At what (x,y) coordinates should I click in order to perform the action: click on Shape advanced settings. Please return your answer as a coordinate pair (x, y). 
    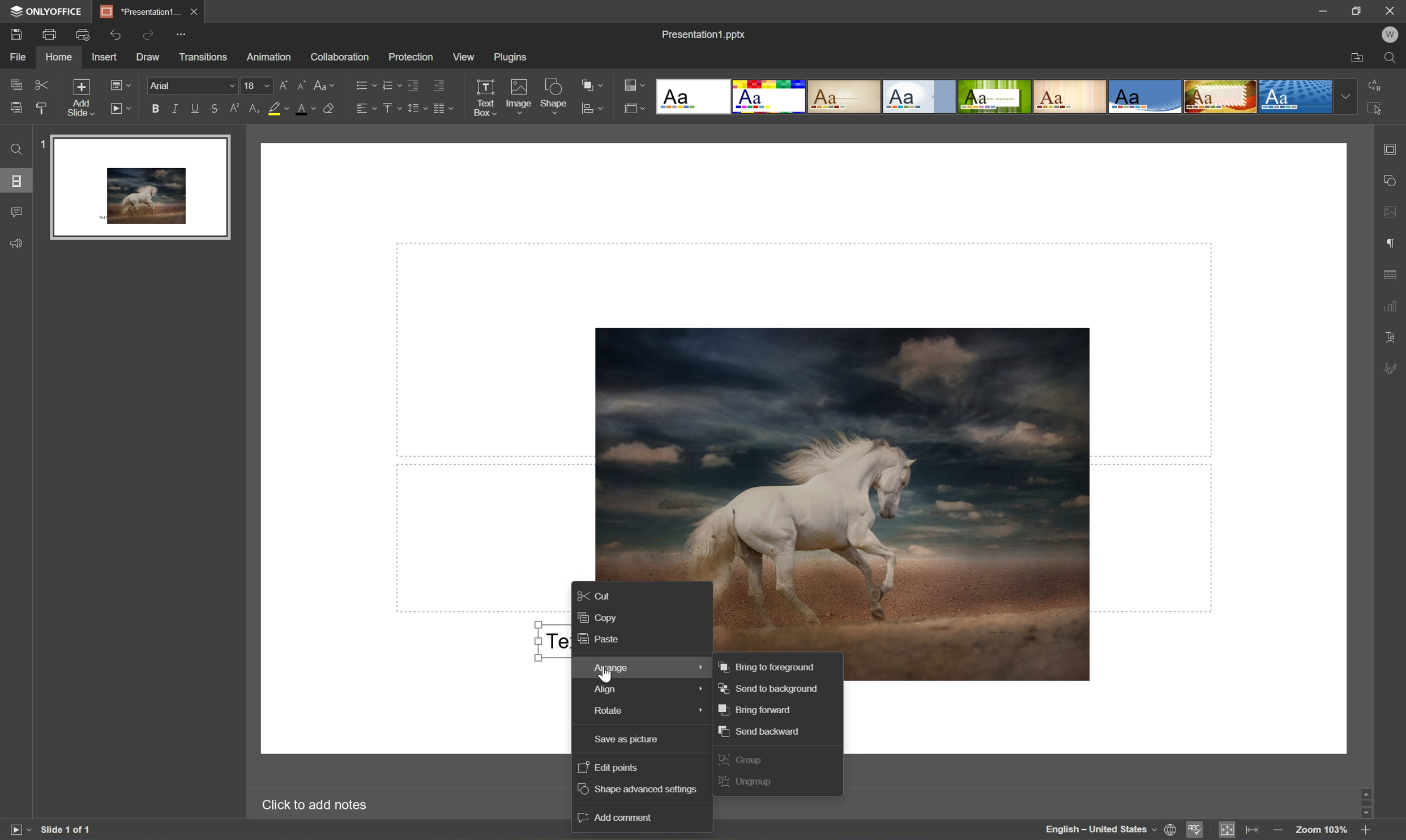
    Looking at the image, I should click on (641, 790).